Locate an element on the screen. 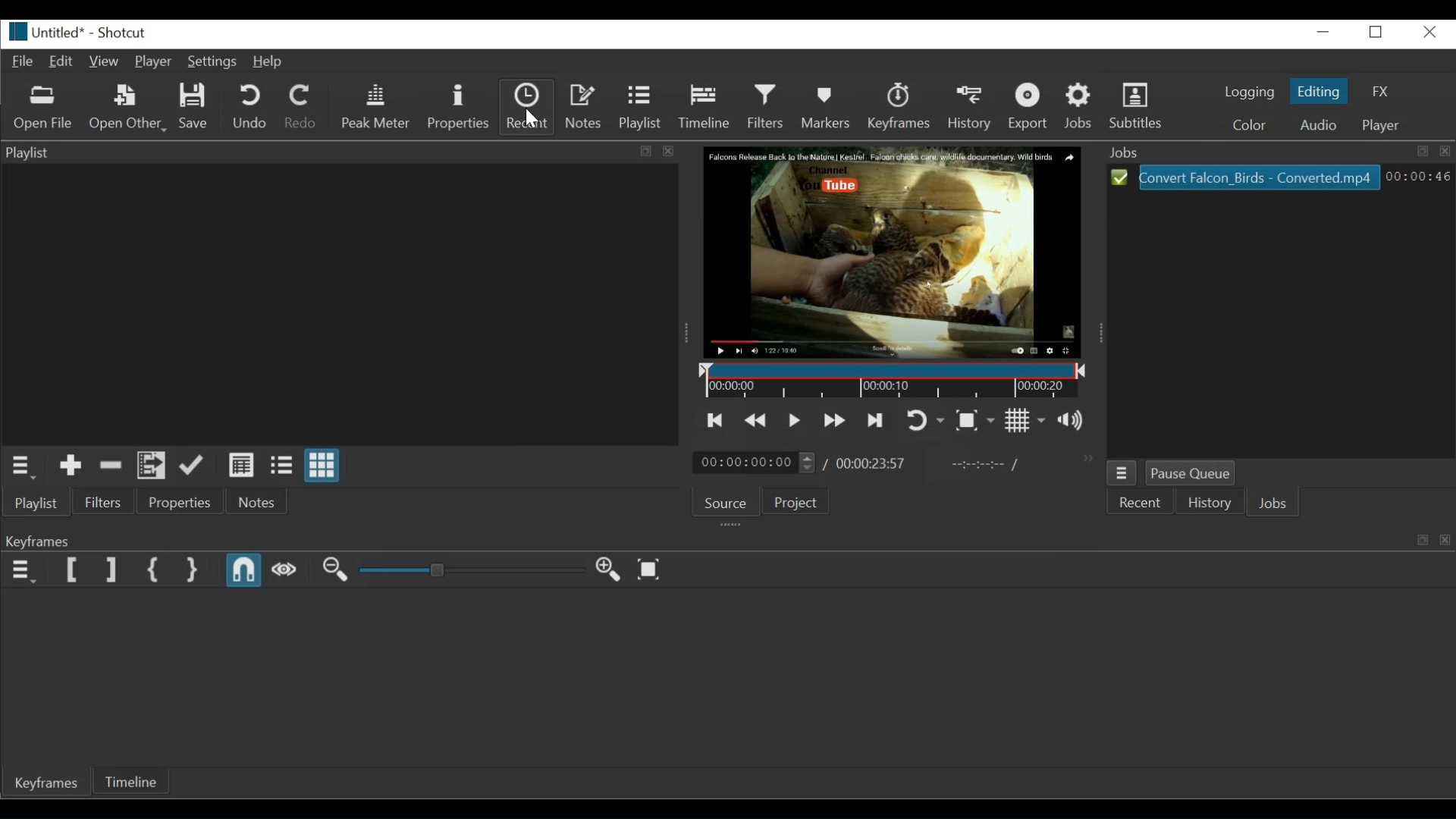 This screenshot has height=819, width=1456. Filters is located at coordinates (767, 107).